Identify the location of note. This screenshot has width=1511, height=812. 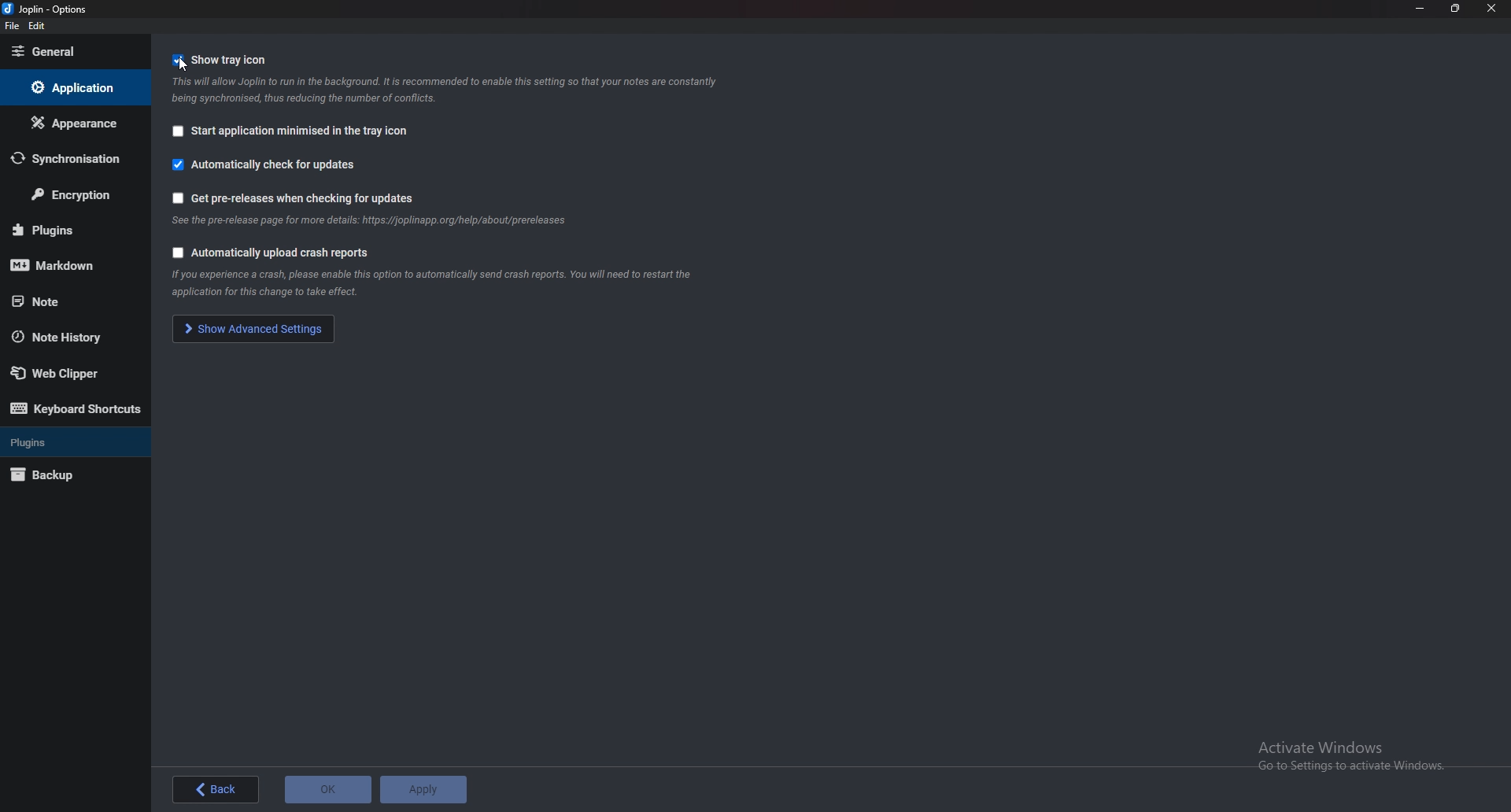
(64, 301).